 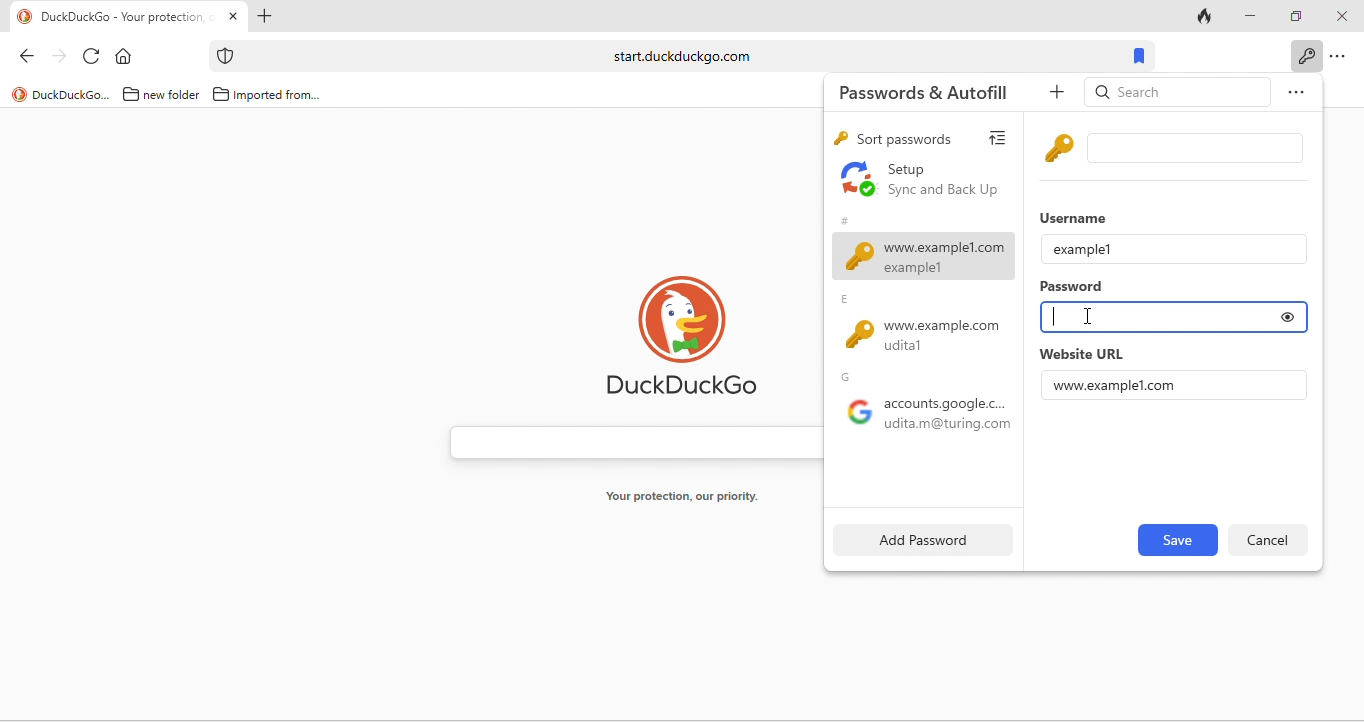 I want to click on search, so click(x=1178, y=94).